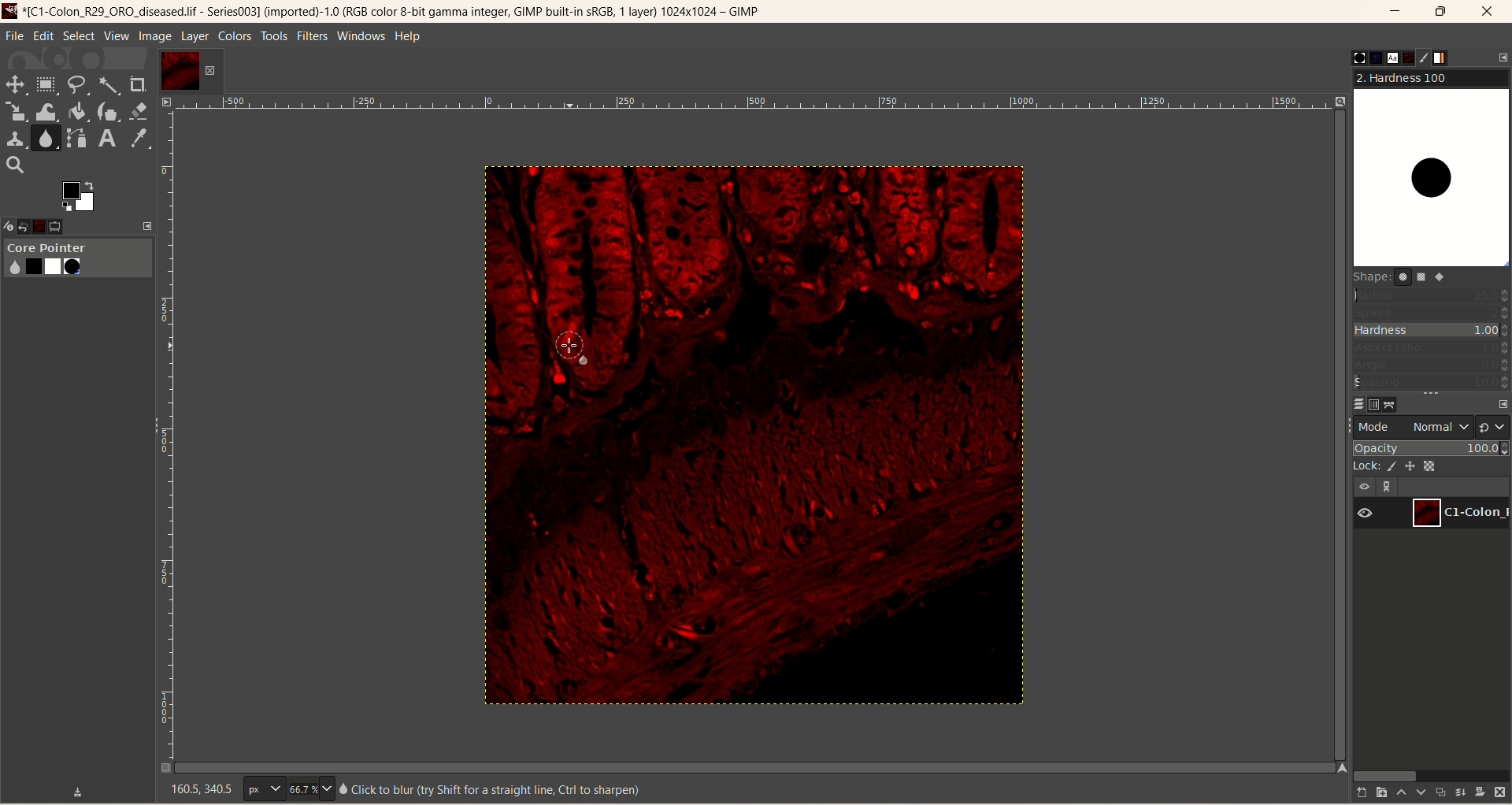 The height and width of the screenshot is (805, 1512). What do you see at coordinates (409, 38) in the screenshot?
I see `help` at bounding box center [409, 38].